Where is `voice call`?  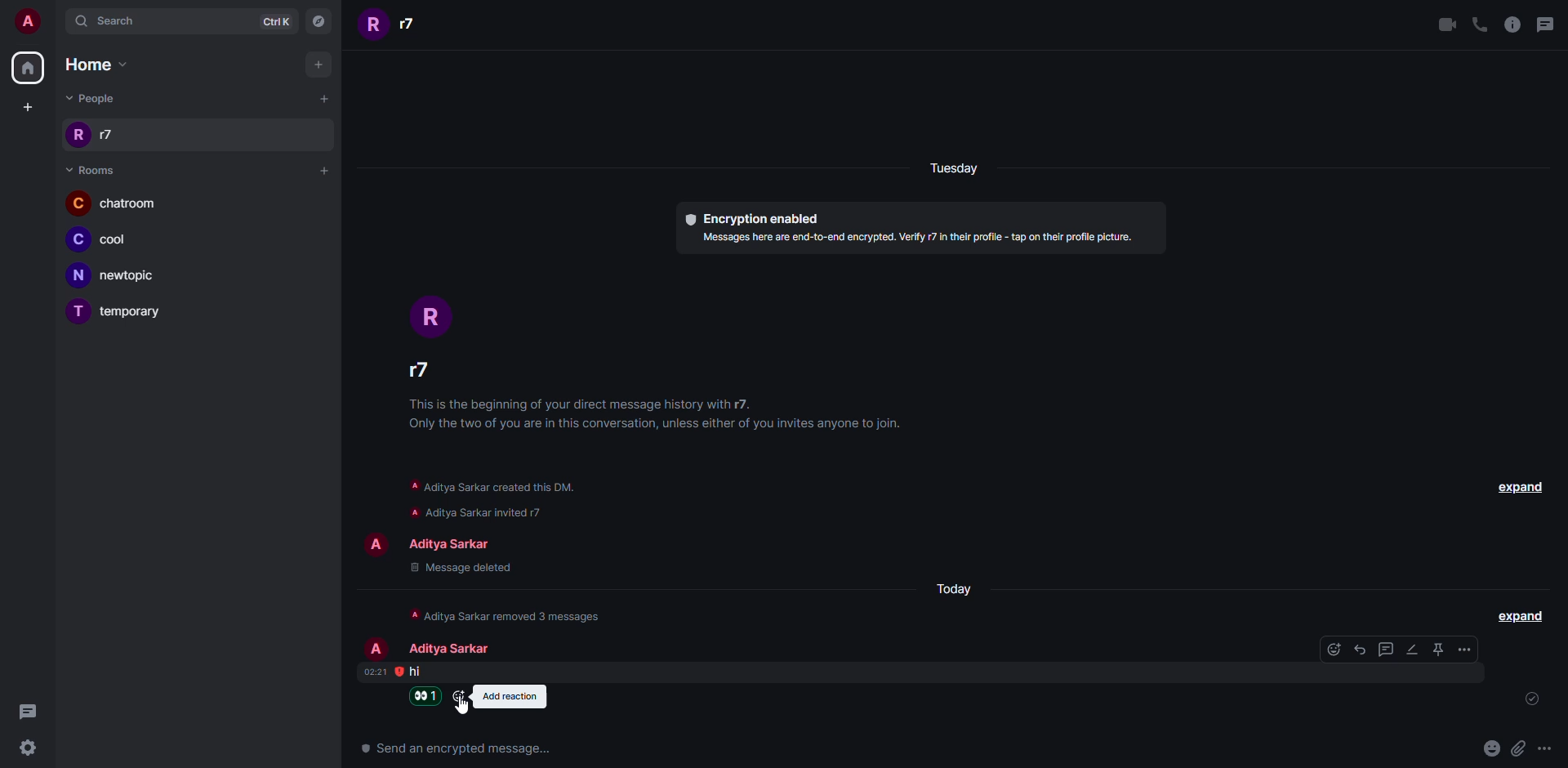
voice call is located at coordinates (1479, 24).